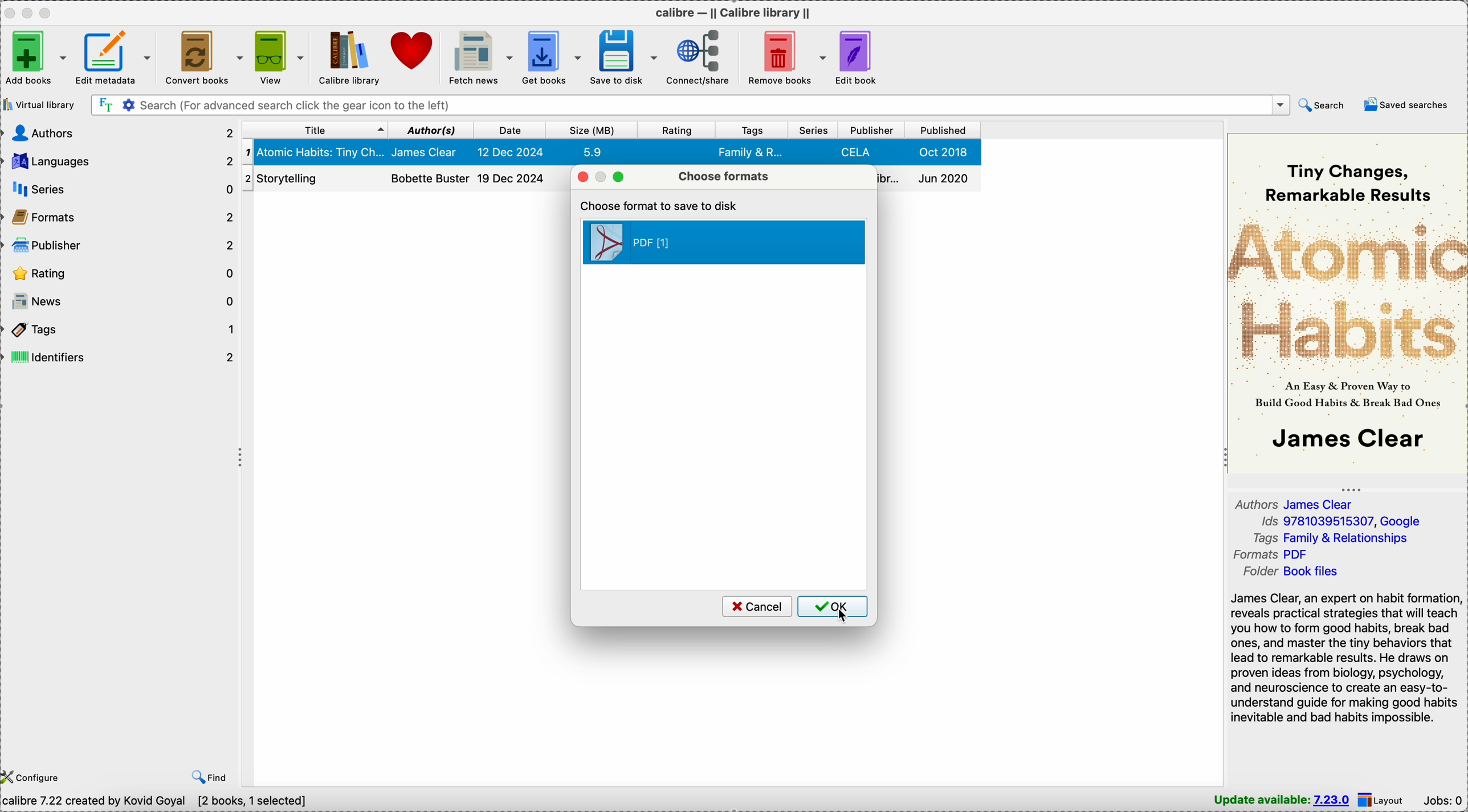  I want to click on maximize popup, so click(621, 177).